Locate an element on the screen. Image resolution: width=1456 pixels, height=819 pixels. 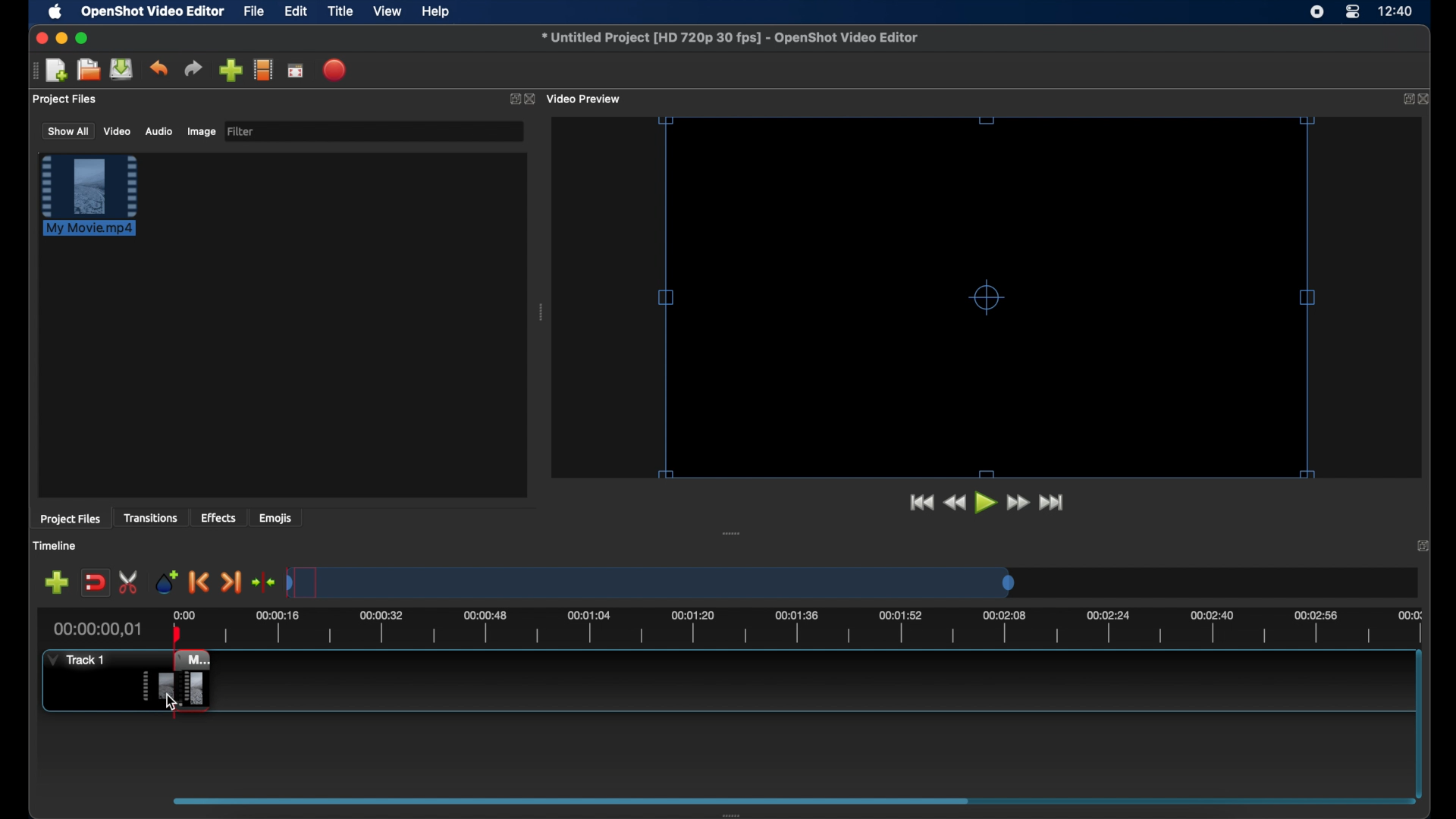
file highlighted is located at coordinates (89, 195).